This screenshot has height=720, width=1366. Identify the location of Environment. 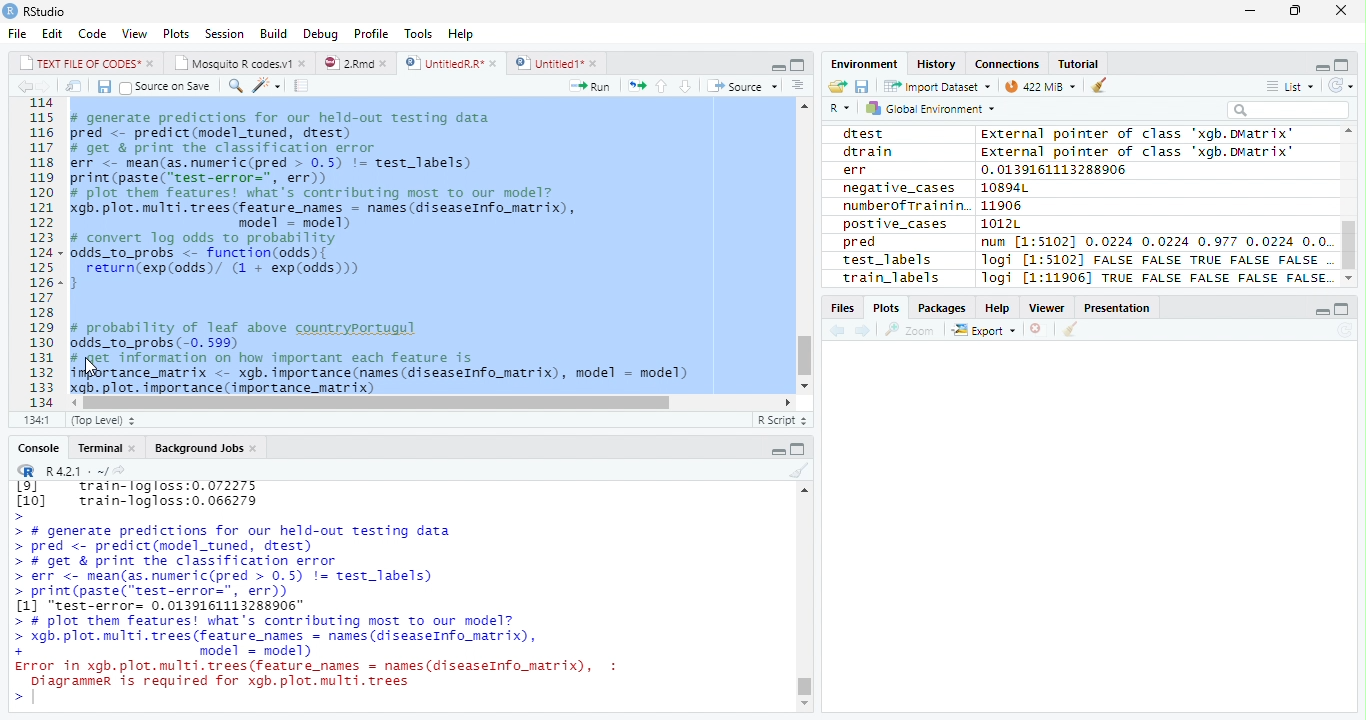
(859, 63).